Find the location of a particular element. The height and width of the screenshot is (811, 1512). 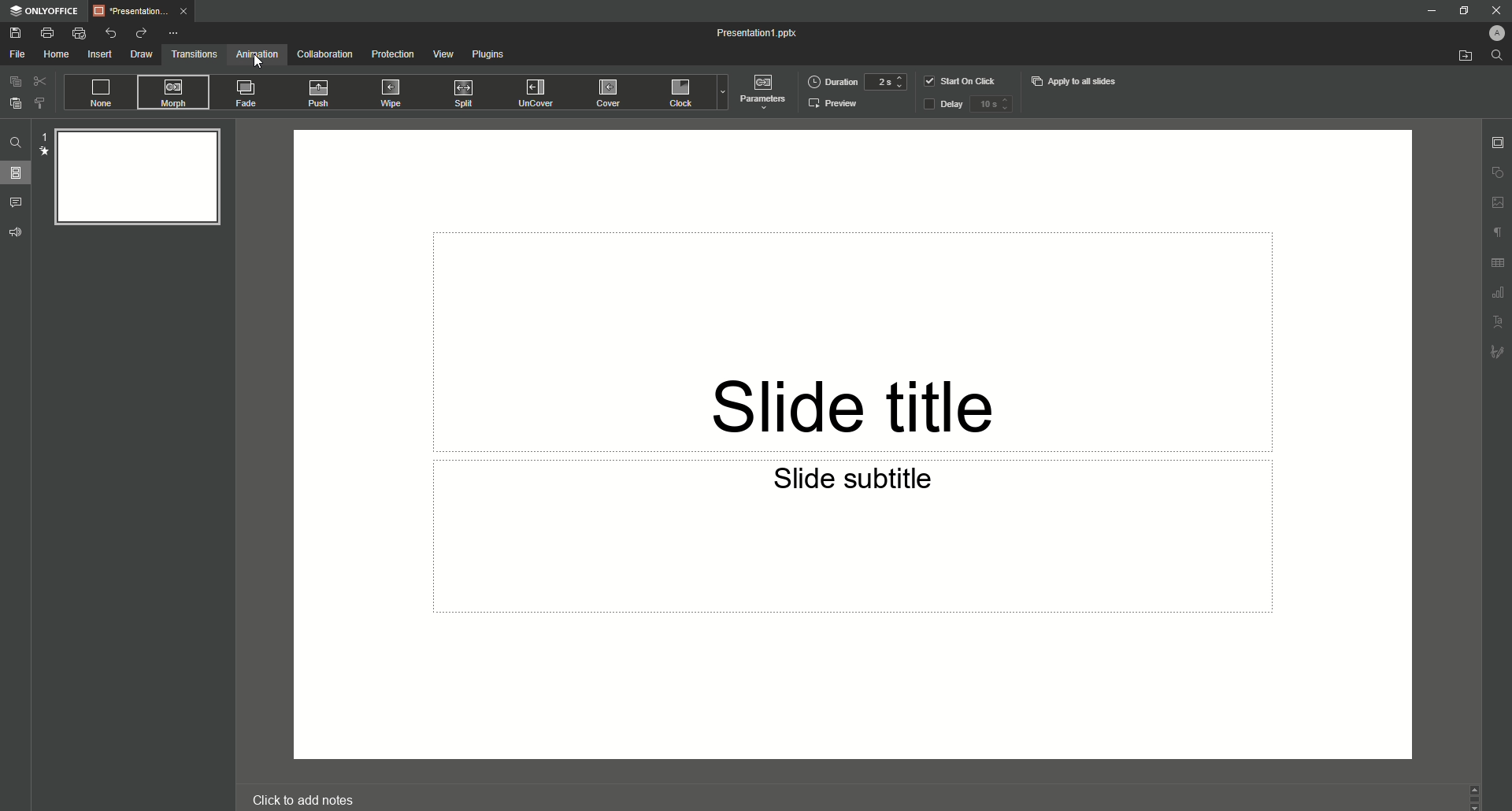

None is located at coordinates (100, 91).